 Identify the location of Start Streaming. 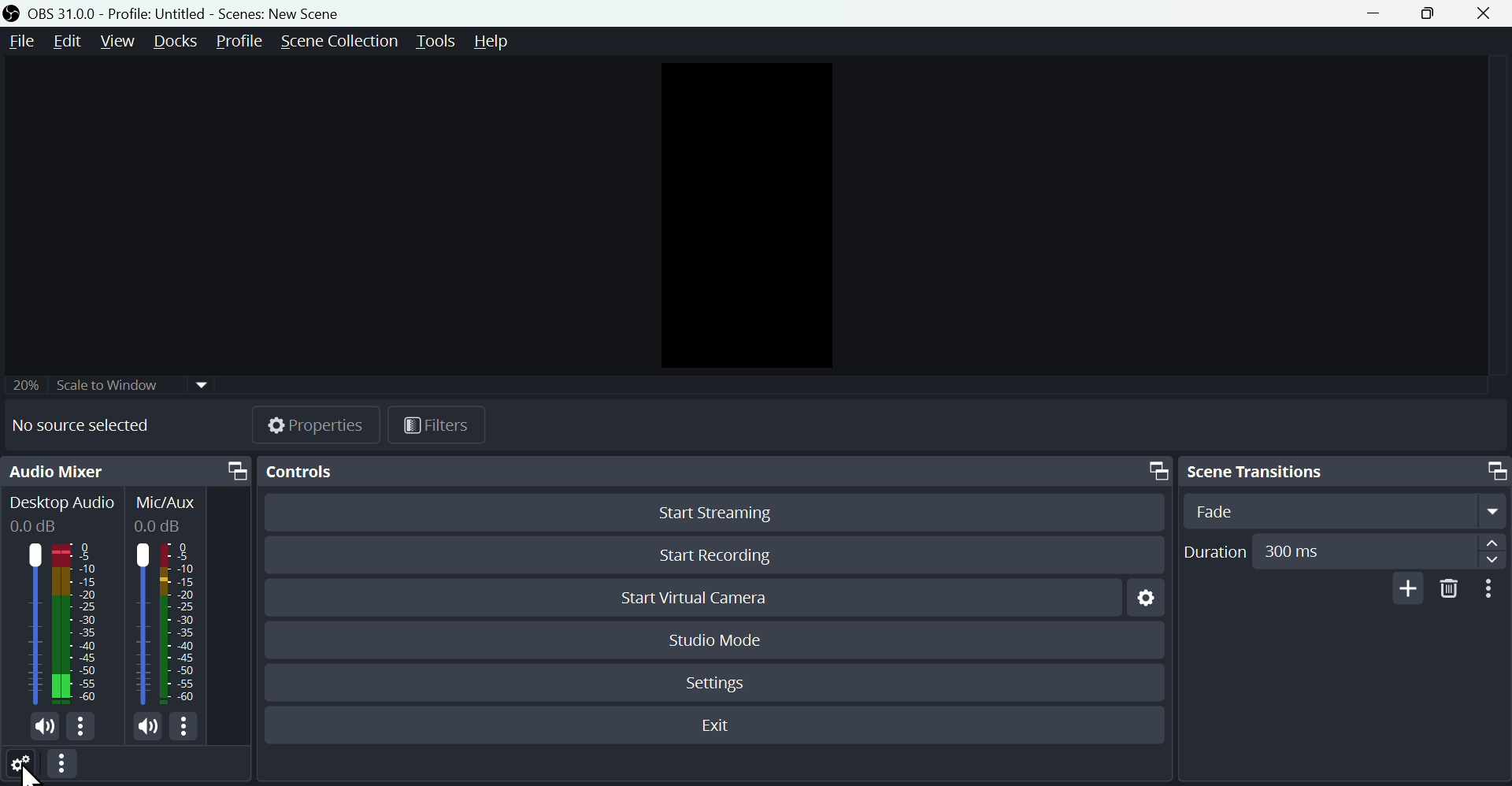
(716, 510).